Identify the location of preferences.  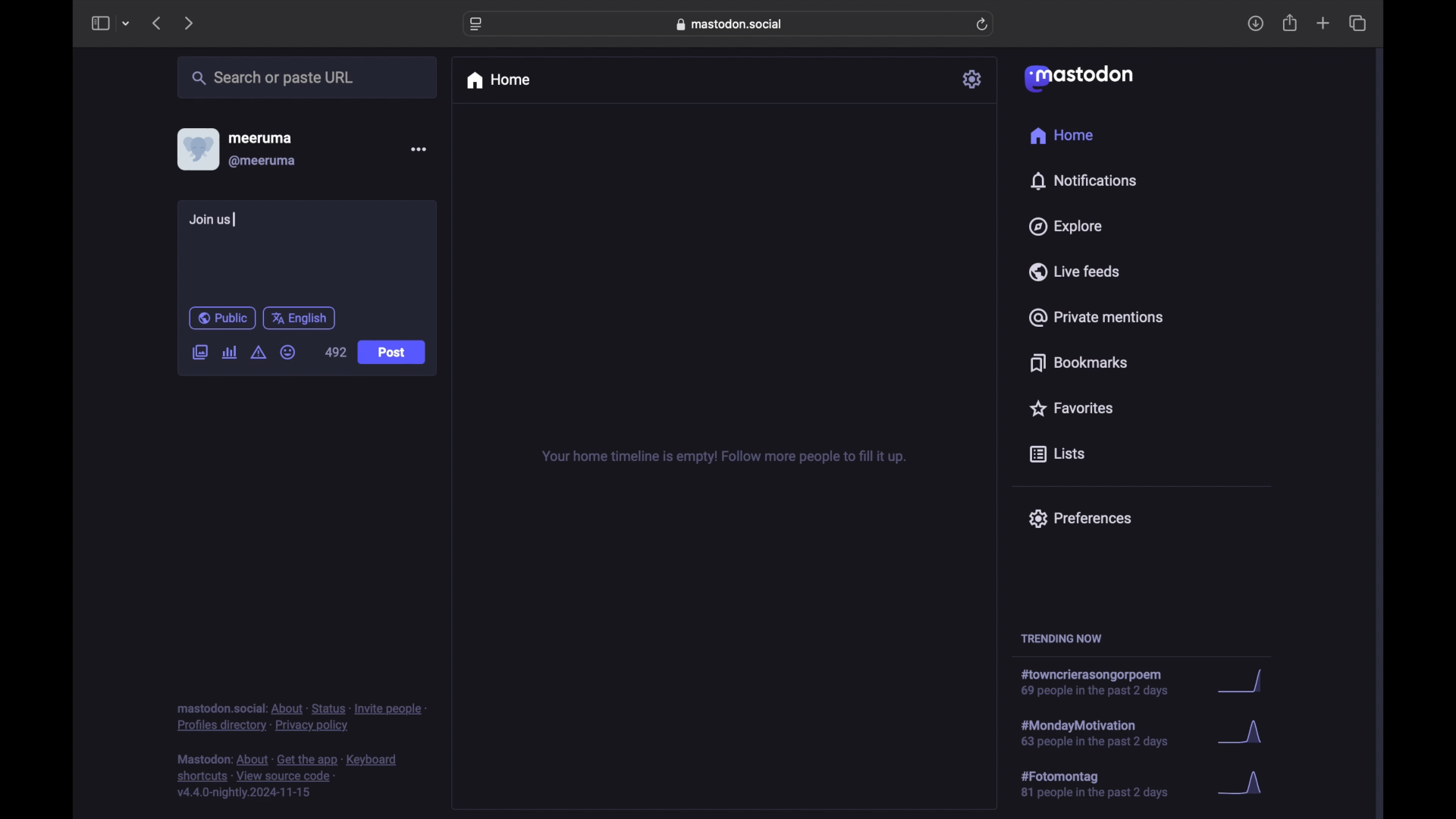
(1079, 517).